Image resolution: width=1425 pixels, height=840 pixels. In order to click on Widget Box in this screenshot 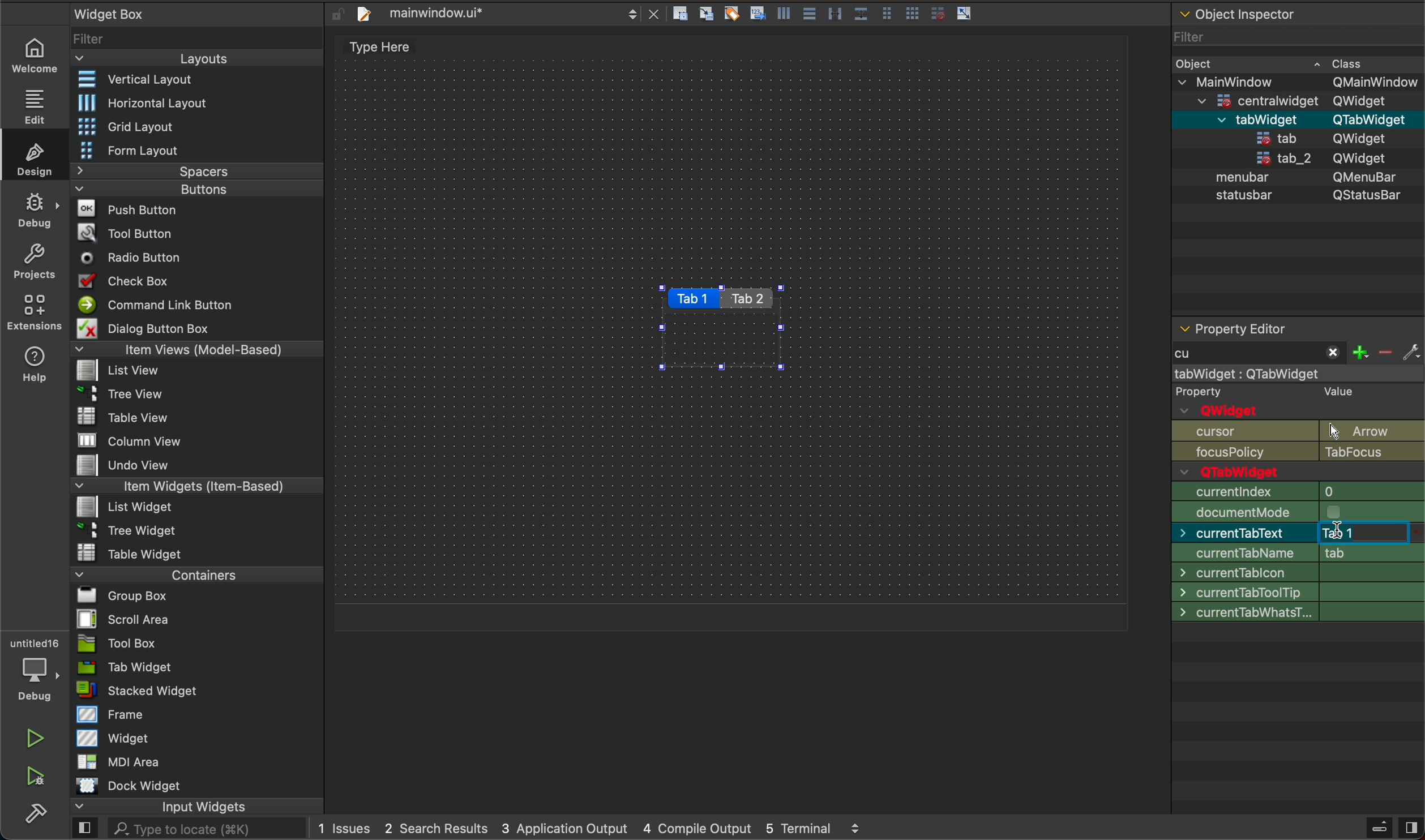, I will do `click(105, 14)`.